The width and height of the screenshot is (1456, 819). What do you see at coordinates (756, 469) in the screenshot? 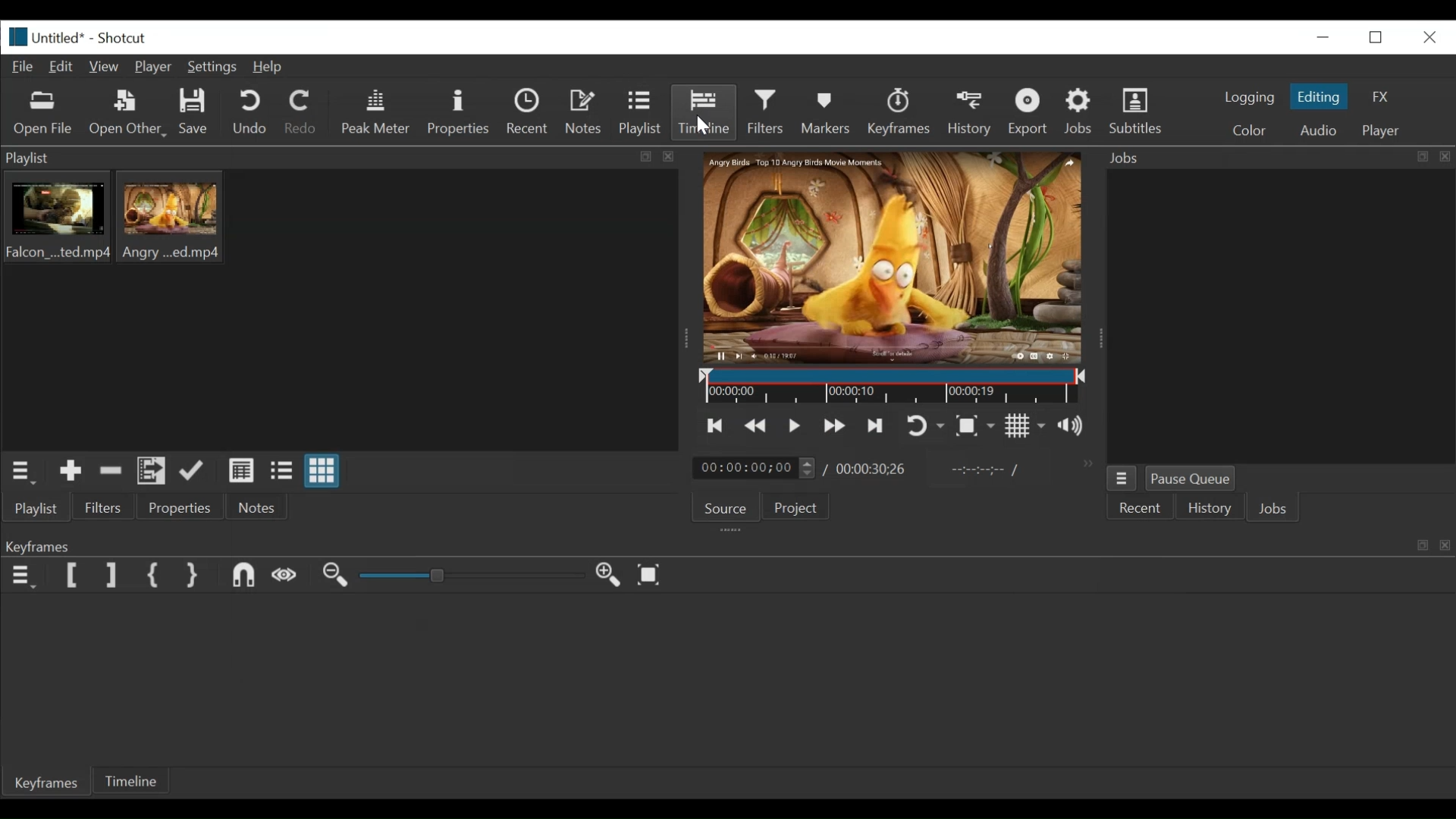
I see `current duration` at bounding box center [756, 469].